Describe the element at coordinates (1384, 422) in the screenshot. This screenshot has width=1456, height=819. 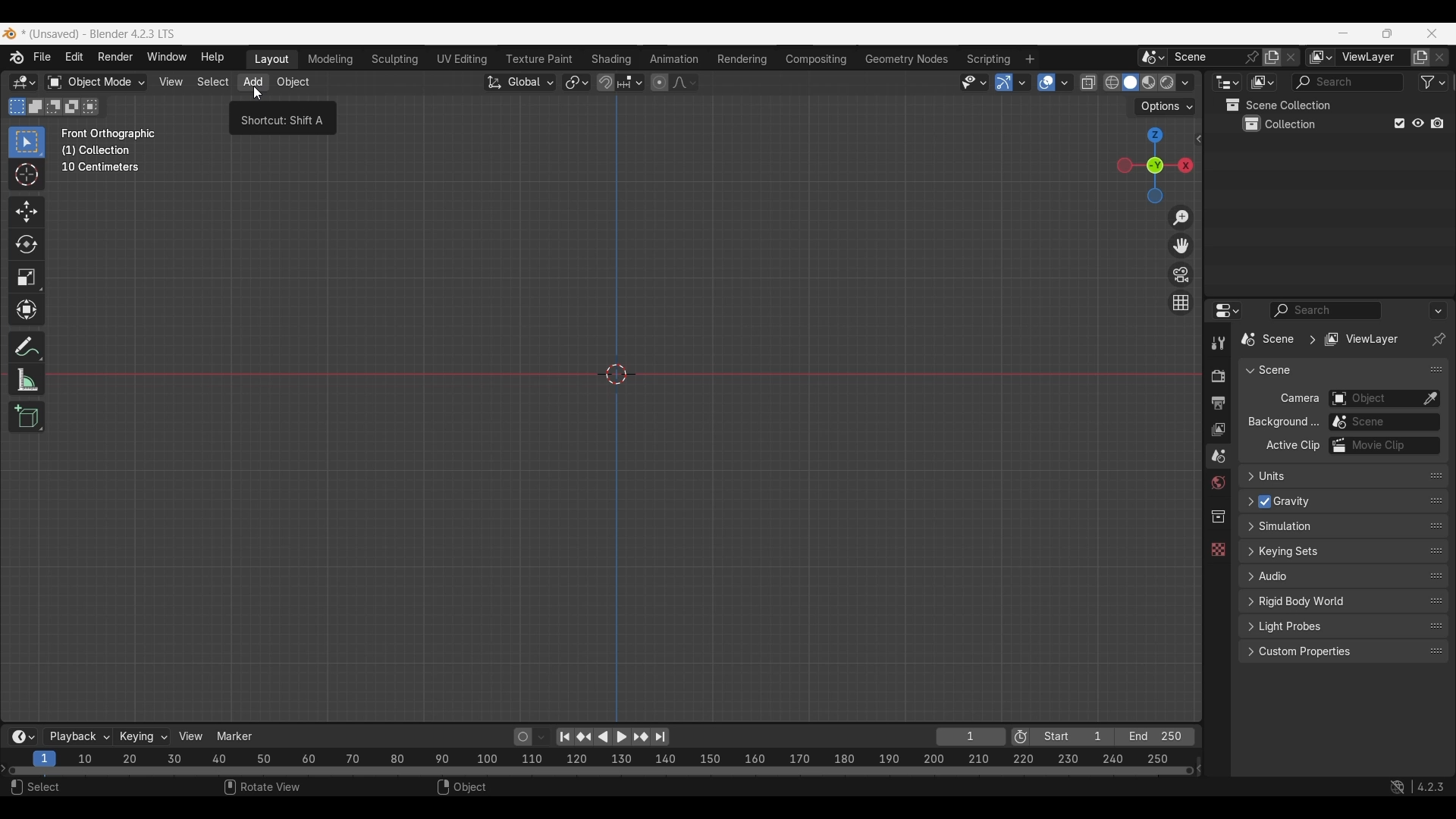
I see `Background scene` at that location.